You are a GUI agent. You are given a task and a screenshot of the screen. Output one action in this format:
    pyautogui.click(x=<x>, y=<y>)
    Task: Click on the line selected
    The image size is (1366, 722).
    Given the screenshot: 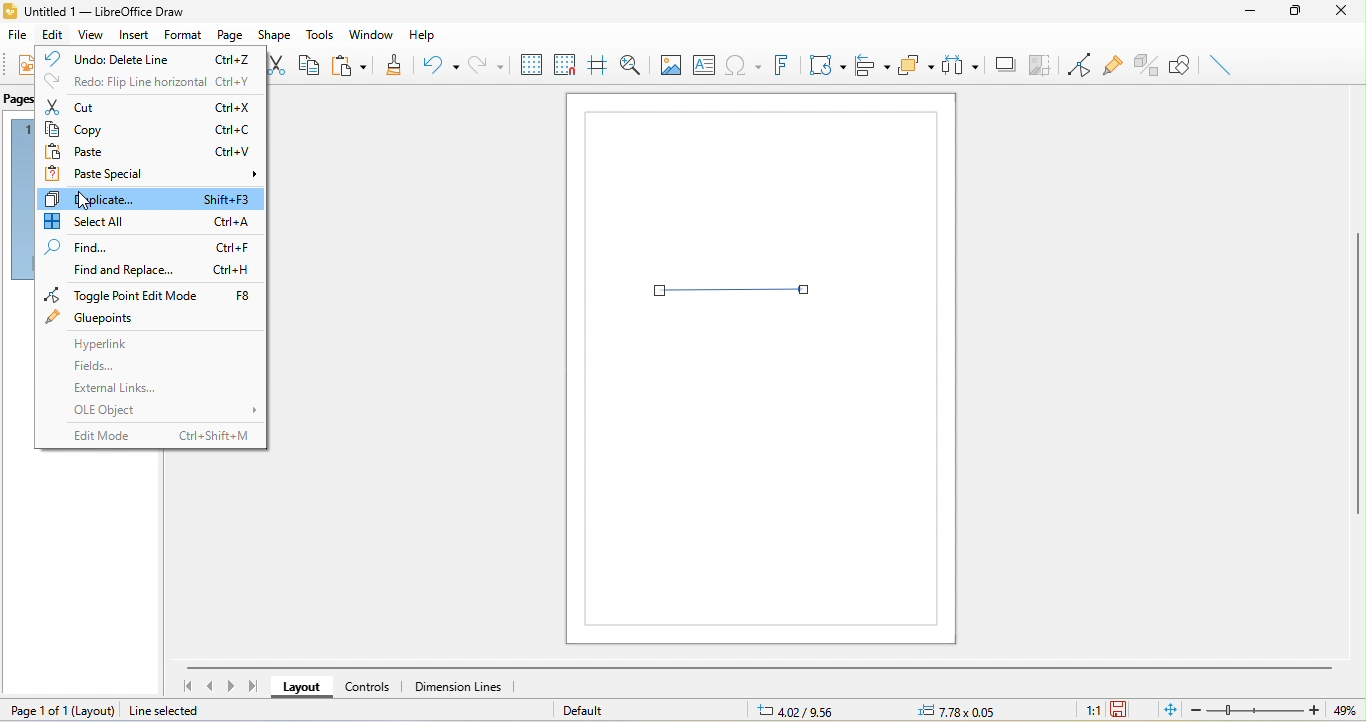 What is the action you would take?
    pyautogui.click(x=178, y=711)
    